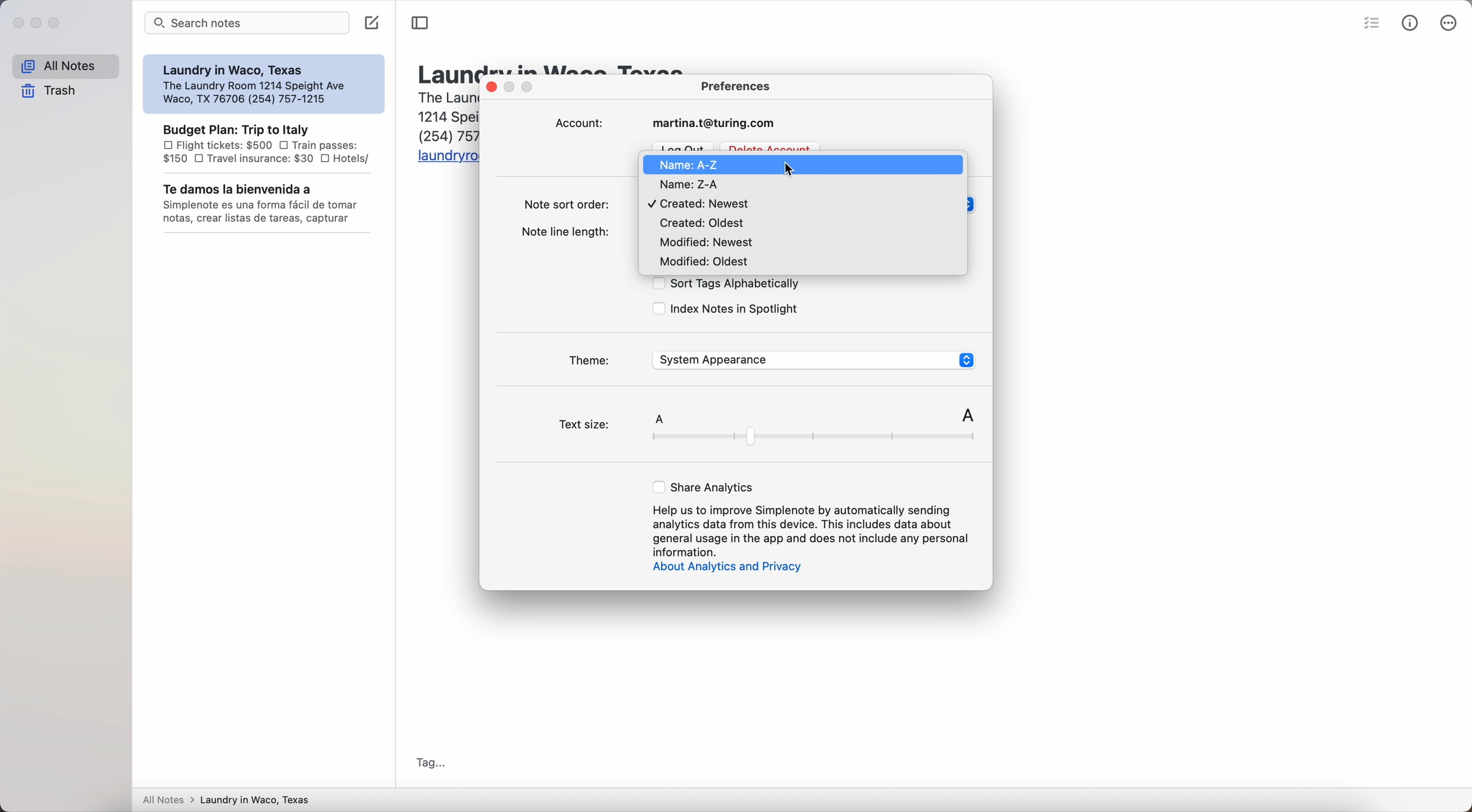 Image resolution: width=1472 pixels, height=812 pixels. What do you see at coordinates (262, 84) in the screenshot?
I see `Laundry in Waco, Texas note` at bounding box center [262, 84].